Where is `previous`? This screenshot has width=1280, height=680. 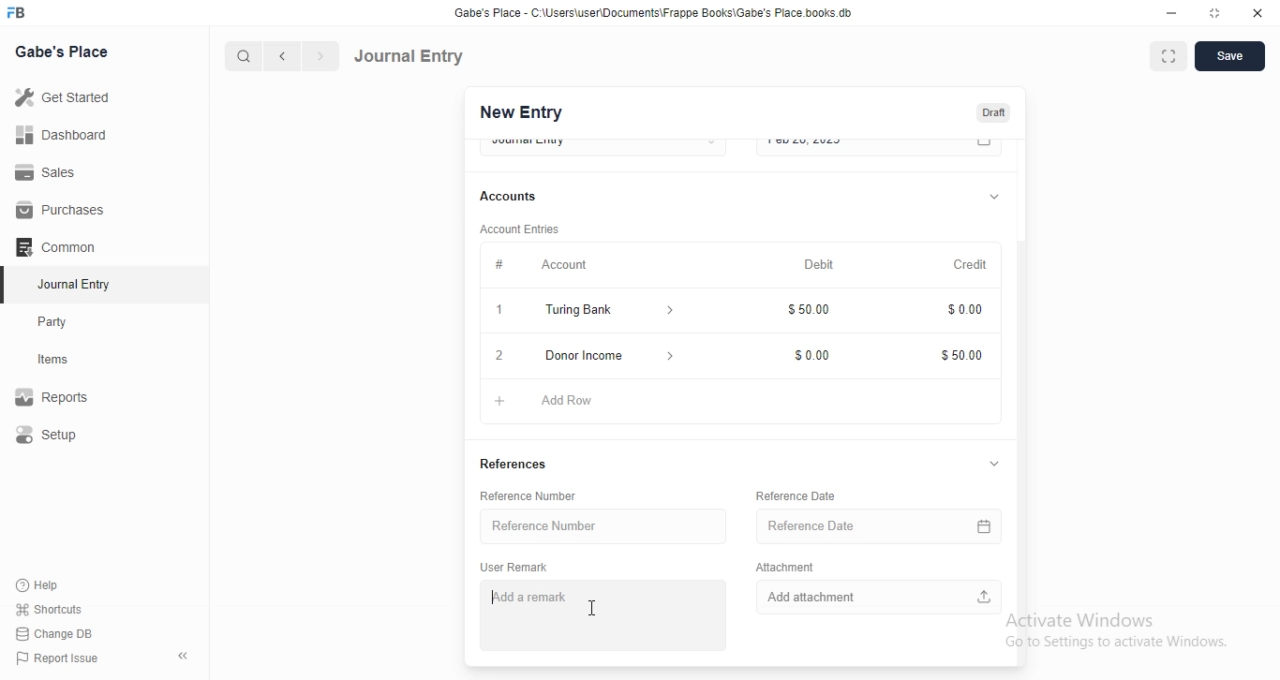
previous is located at coordinates (279, 56).